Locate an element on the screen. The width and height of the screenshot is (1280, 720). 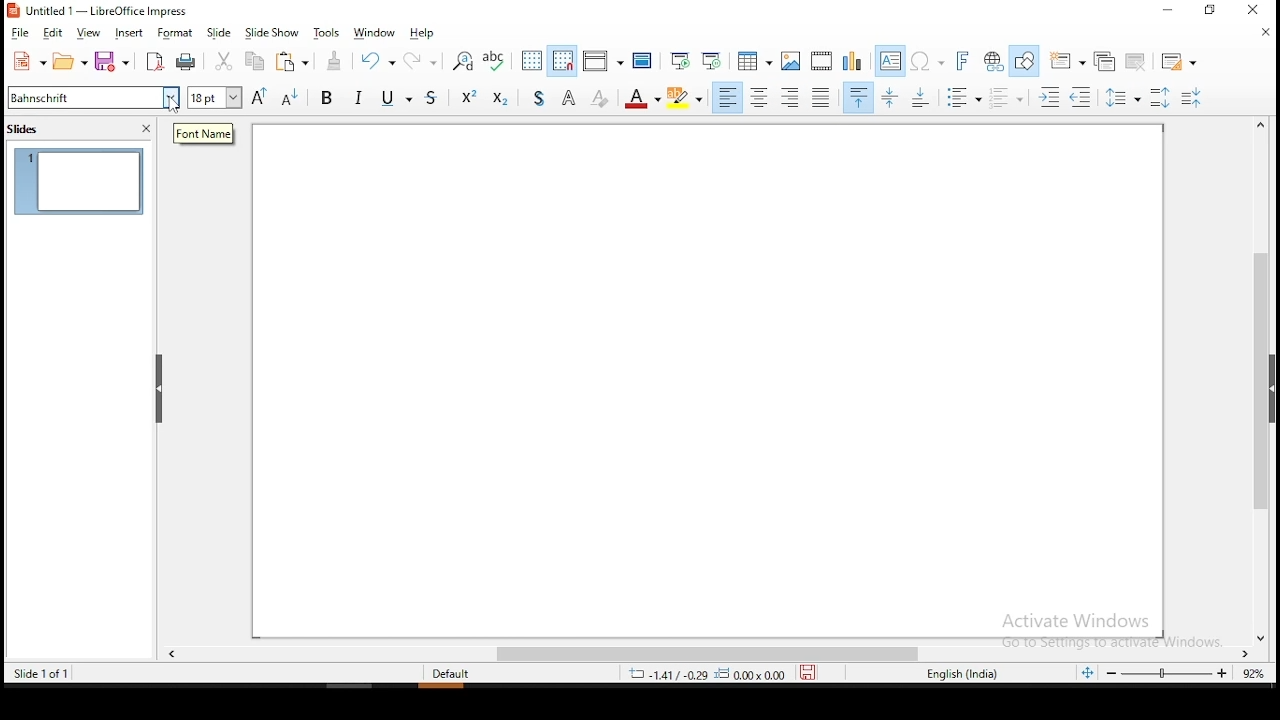
decrease indent is located at coordinates (1083, 98).